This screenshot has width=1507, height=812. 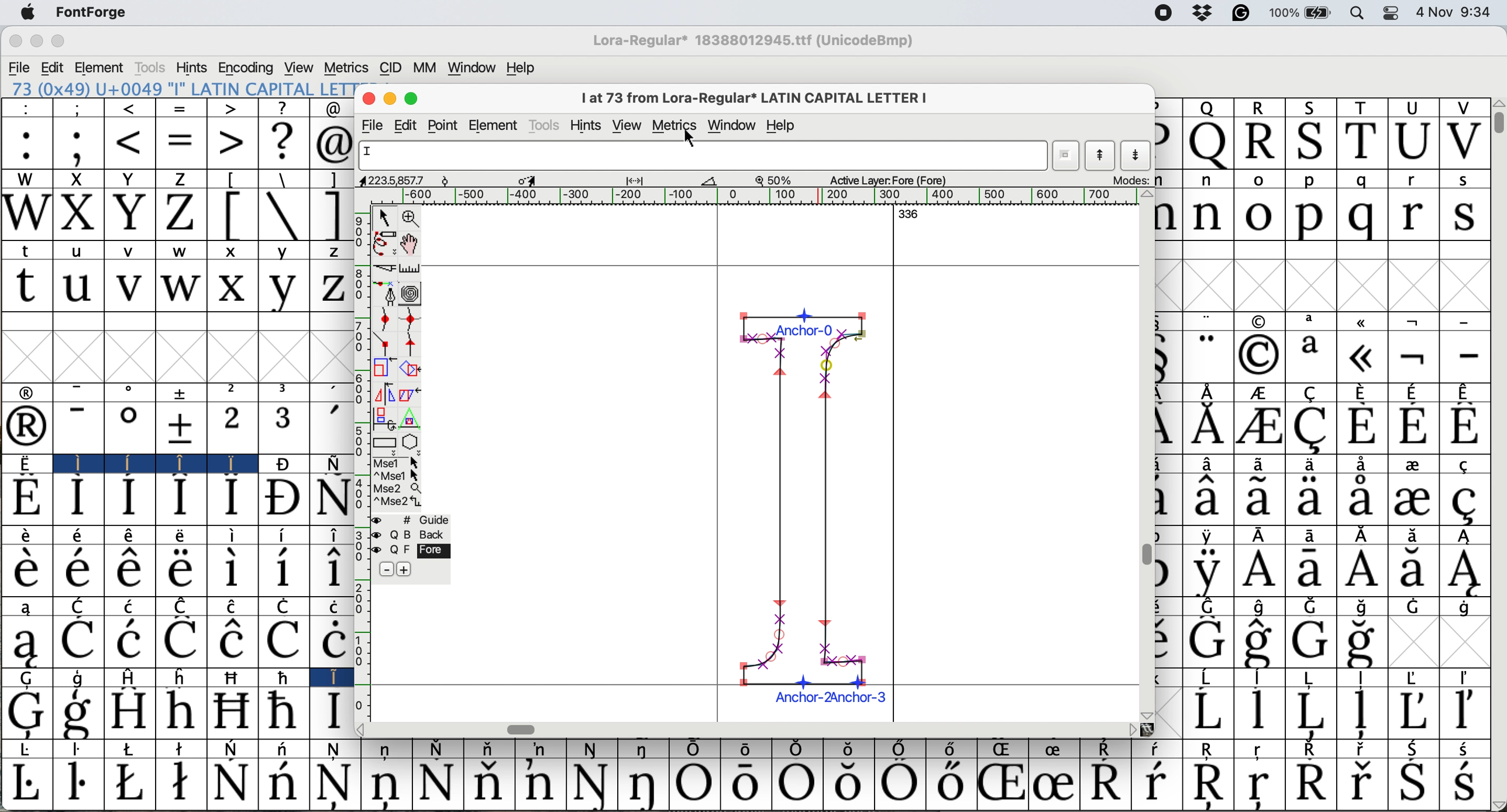 I want to click on u, so click(x=78, y=253).